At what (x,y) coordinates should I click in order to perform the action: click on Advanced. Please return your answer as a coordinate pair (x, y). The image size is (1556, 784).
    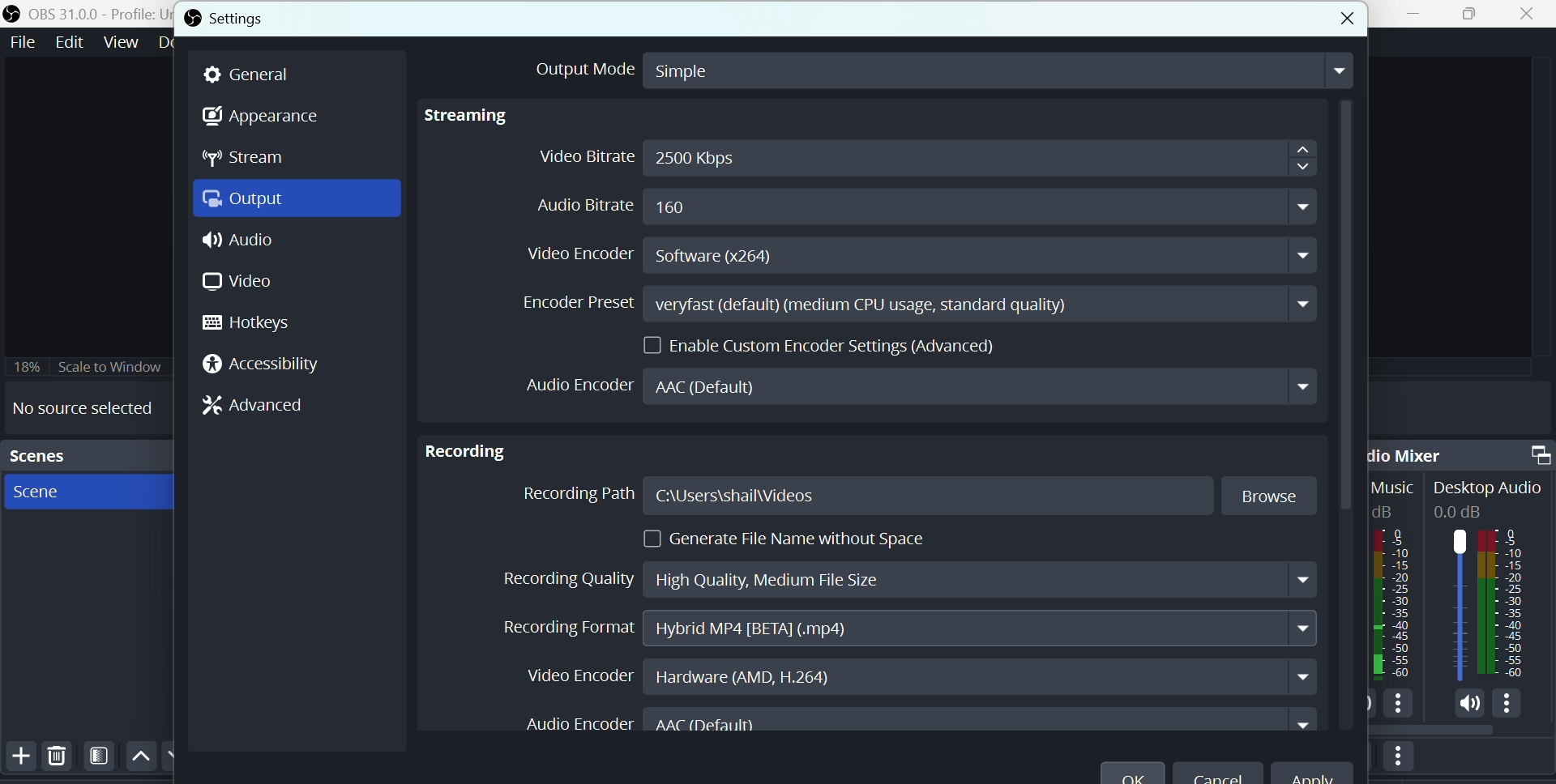
    Looking at the image, I should click on (257, 405).